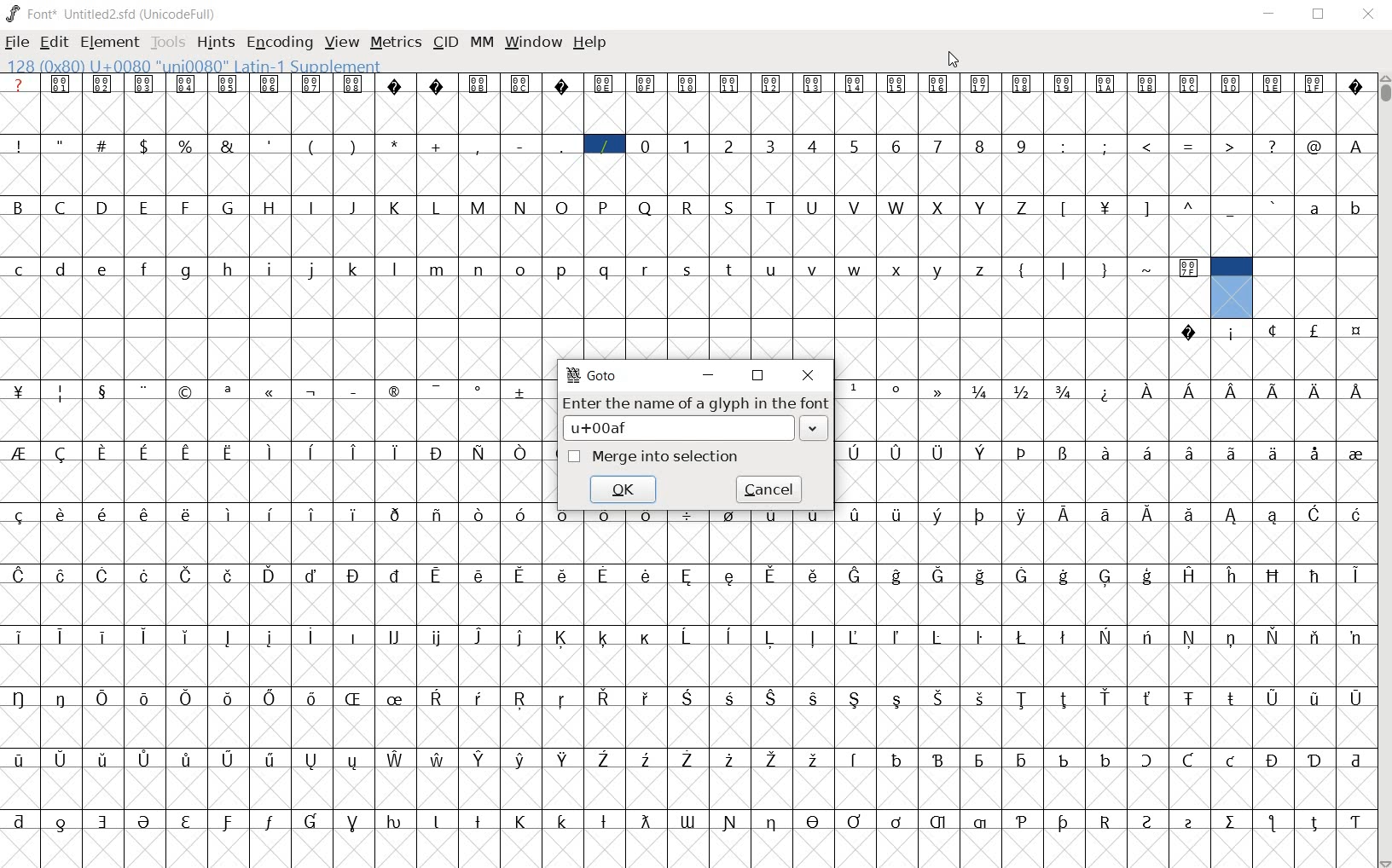 The height and width of the screenshot is (868, 1392). What do you see at coordinates (1230, 821) in the screenshot?
I see `Symbol` at bounding box center [1230, 821].